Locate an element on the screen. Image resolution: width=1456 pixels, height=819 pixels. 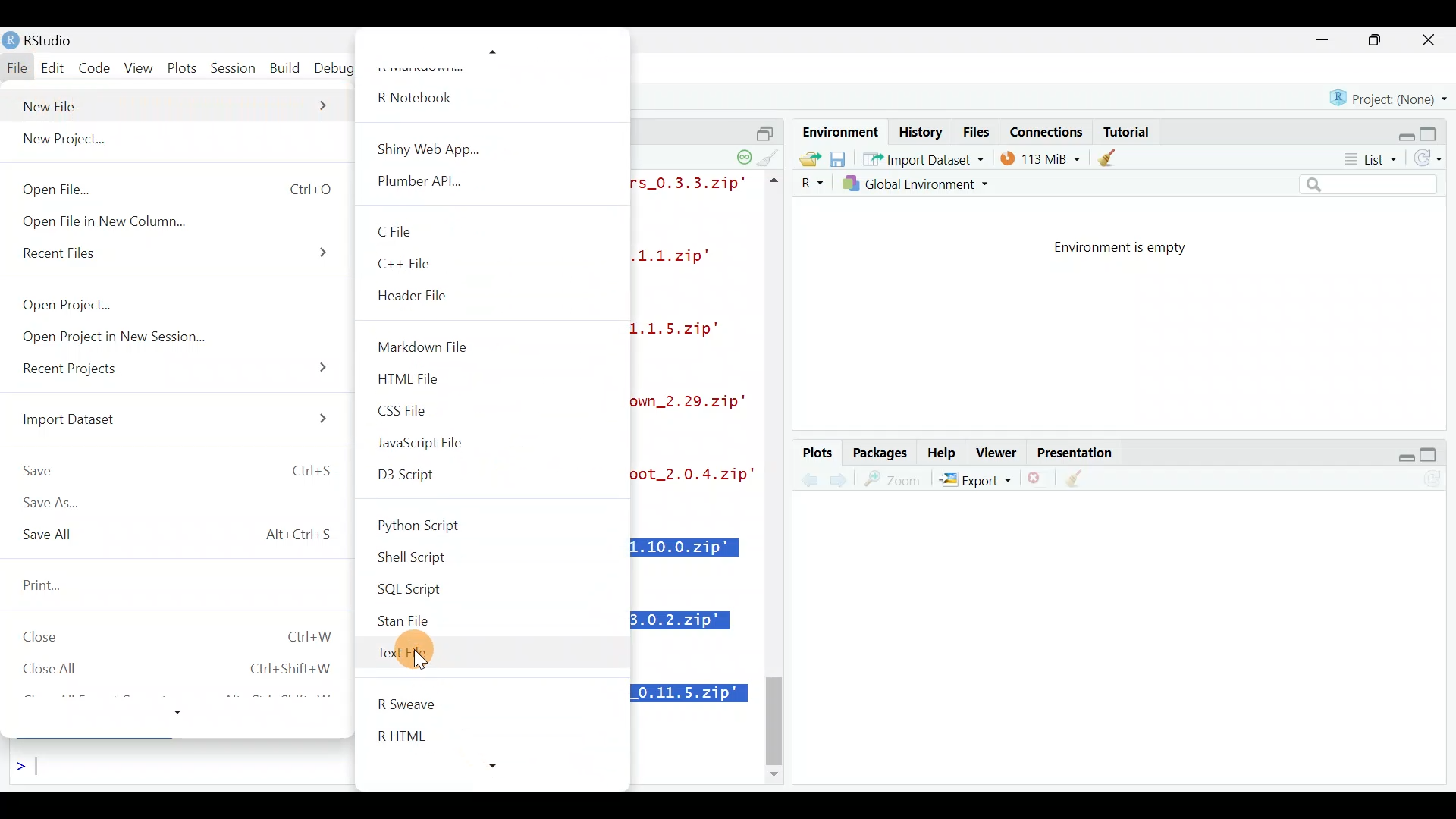
Open File... Ctrl+0 is located at coordinates (176, 186).